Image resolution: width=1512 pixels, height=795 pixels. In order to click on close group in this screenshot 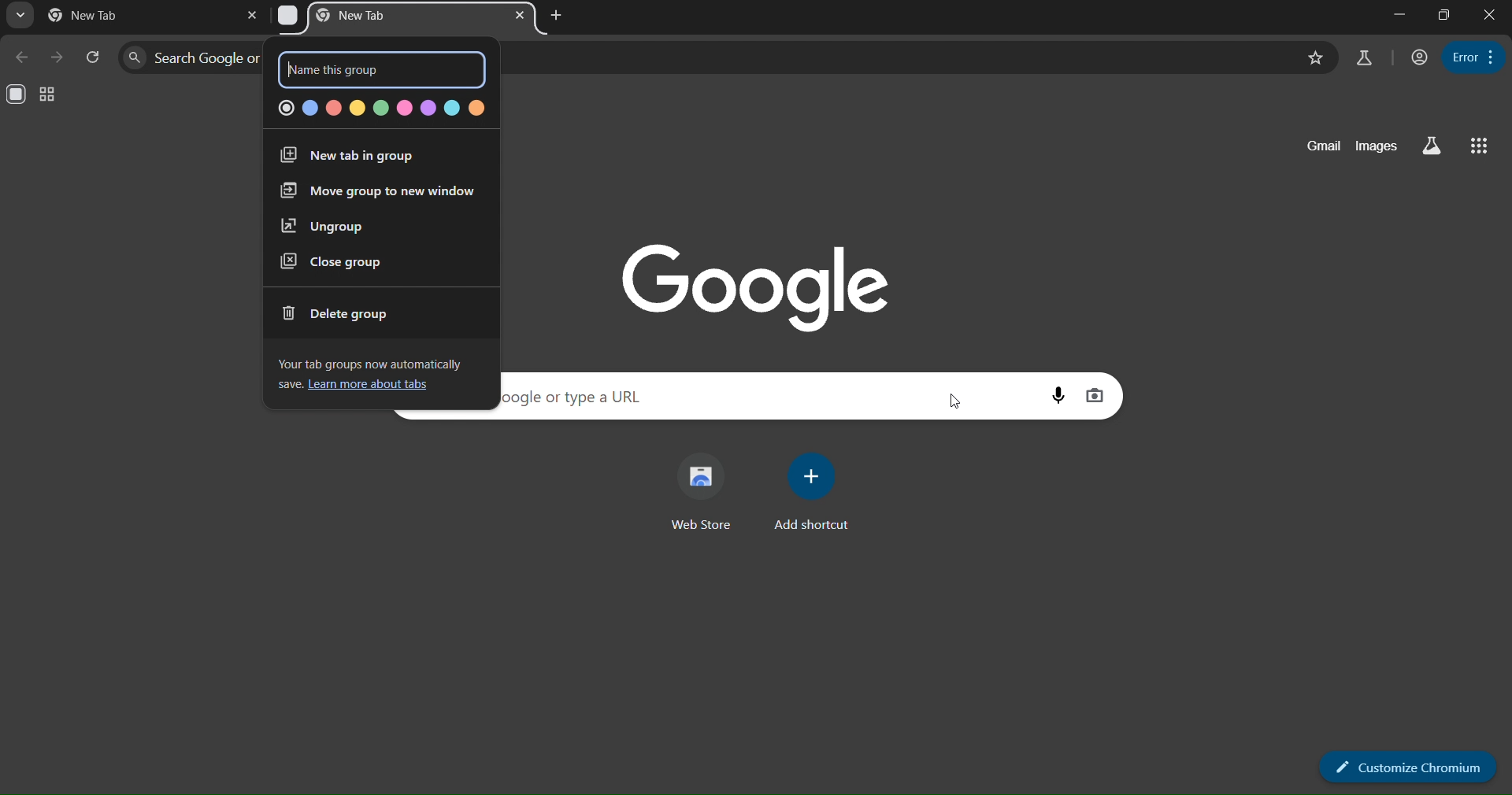, I will do `click(329, 262)`.